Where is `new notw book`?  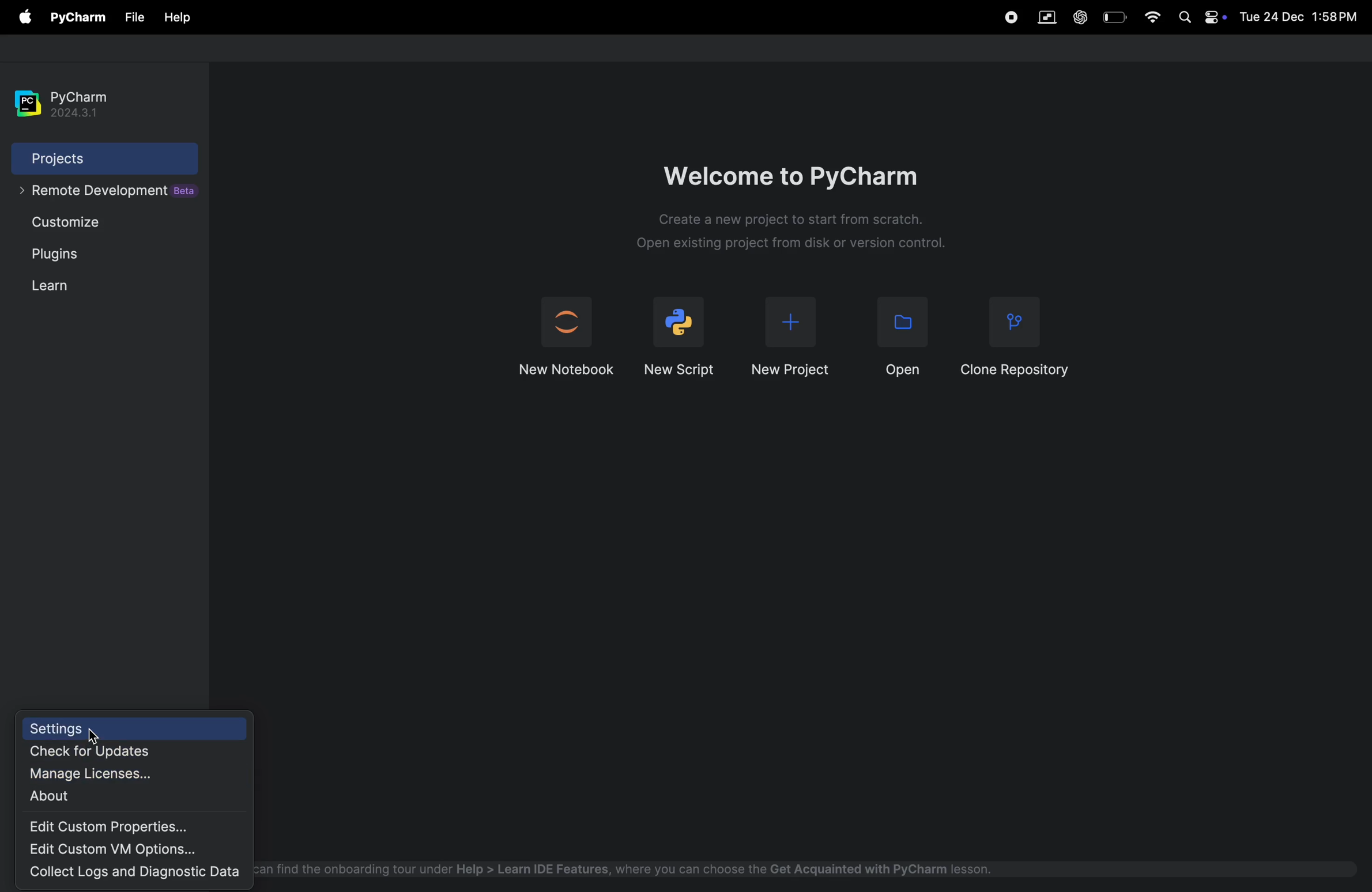 new notw book is located at coordinates (564, 338).